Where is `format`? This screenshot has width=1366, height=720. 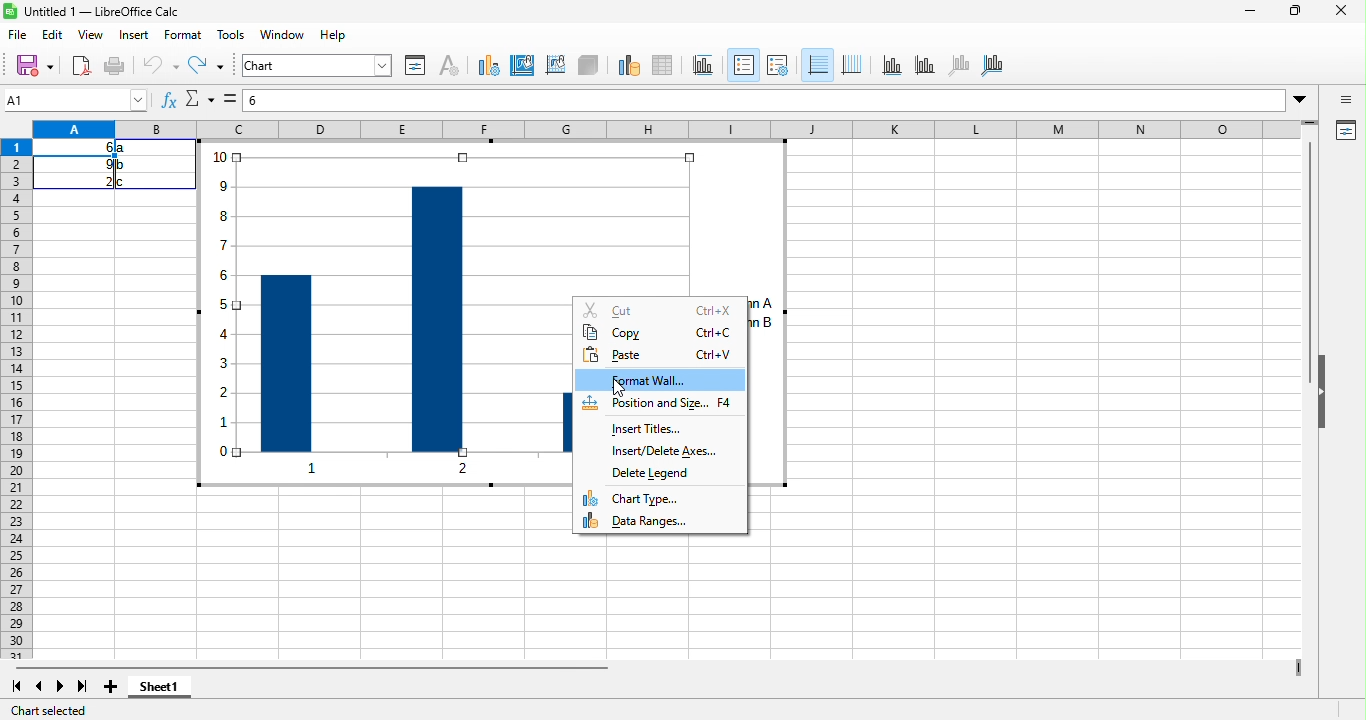
format is located at coordinates (186, 34).